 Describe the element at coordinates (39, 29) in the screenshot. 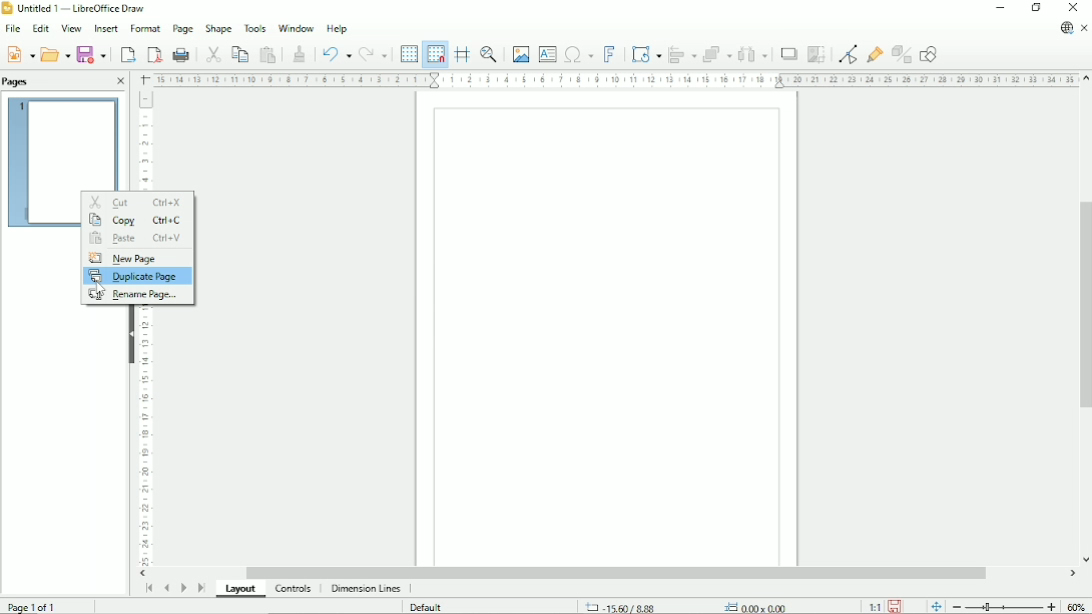

I see `Edit` at that location.